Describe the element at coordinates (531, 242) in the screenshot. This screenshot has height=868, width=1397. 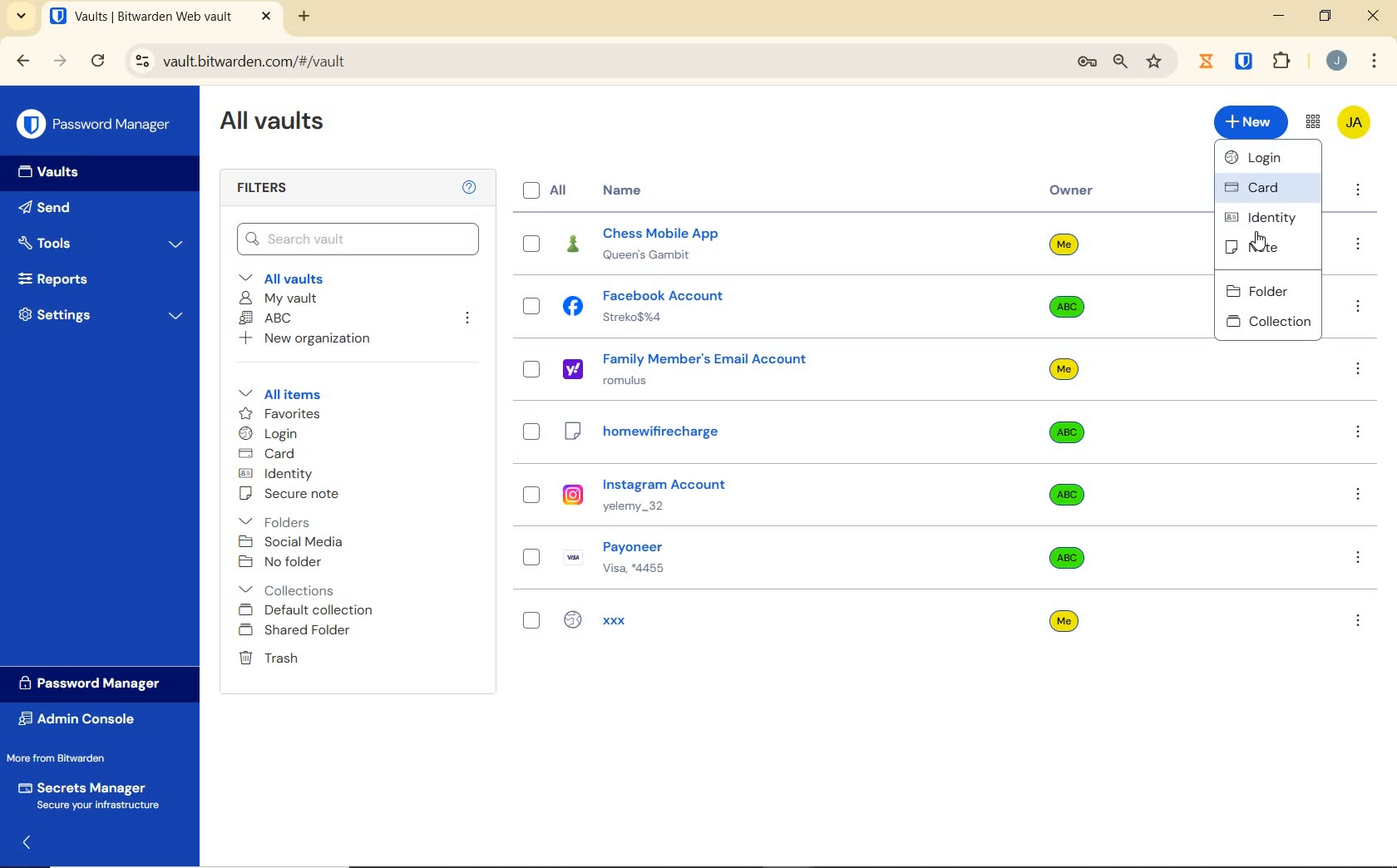
I see `checkbox` at that location.